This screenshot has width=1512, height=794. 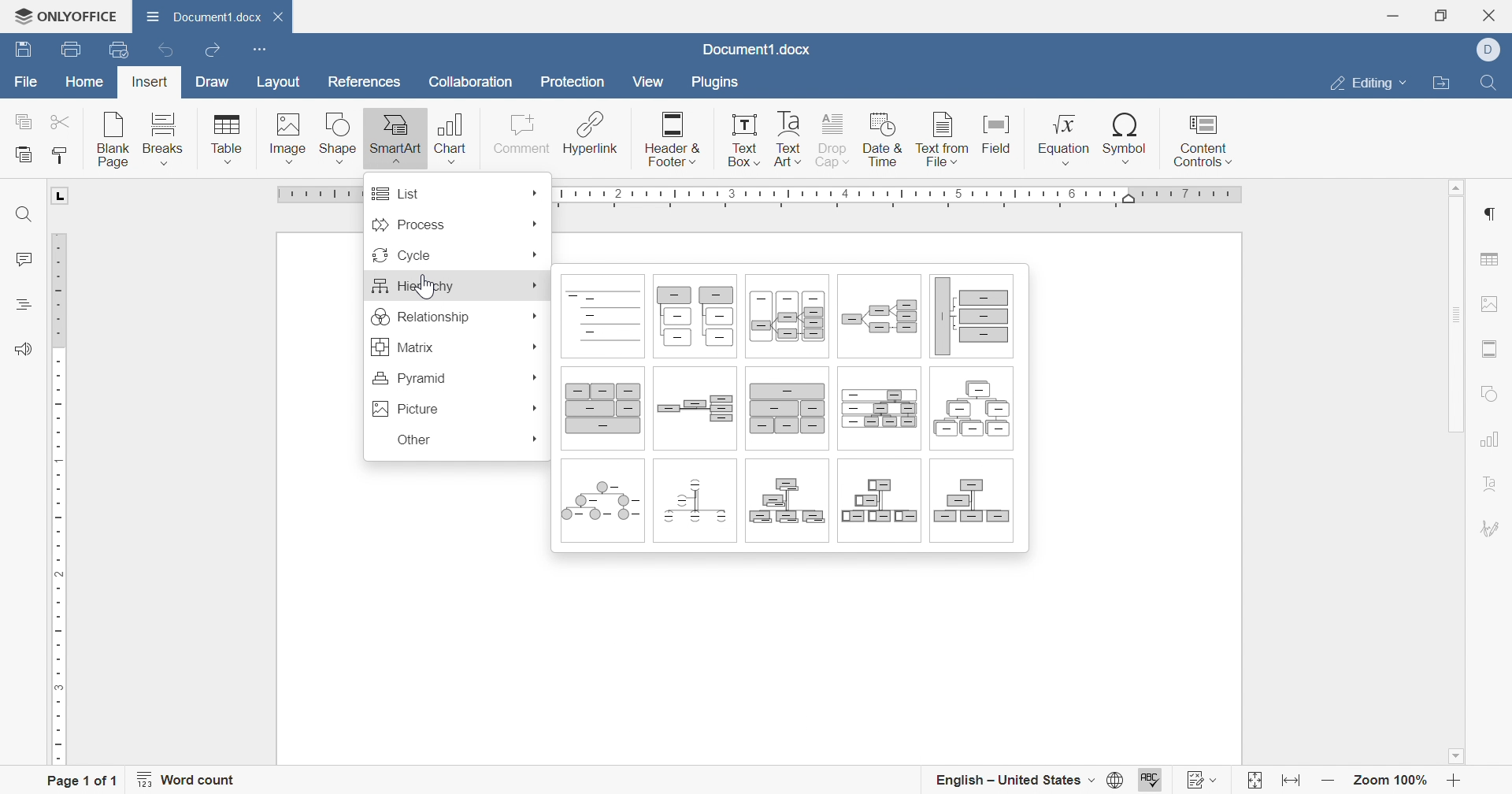 What do you see at coordinates (22, 260) in the screenshot?
I see `Comments` at bounding box center [22, 260].